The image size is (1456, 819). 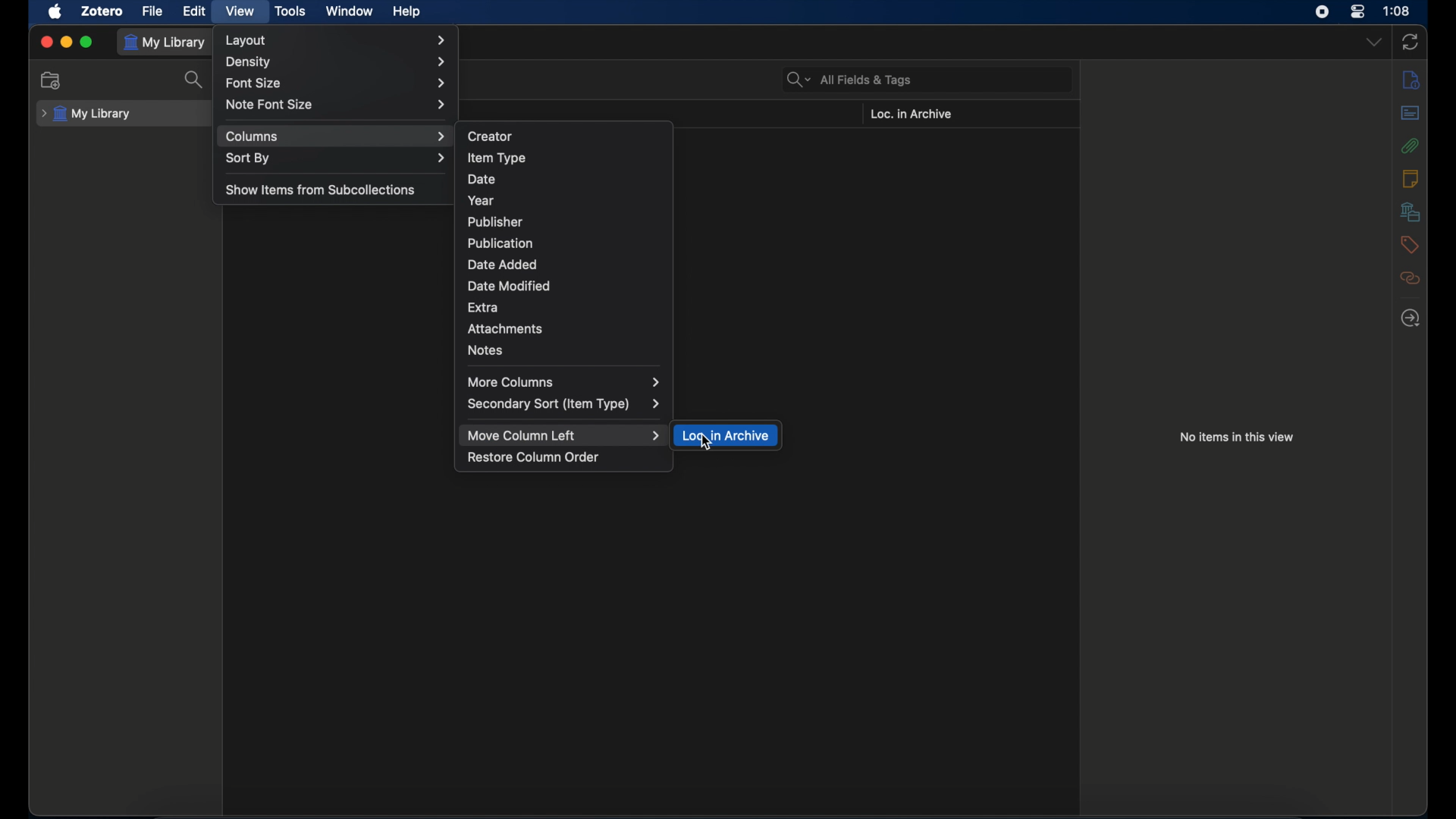 What do you see at coordinates (1410, 113) in the screenshot?
I see `abstract` at bounding box center [1410, 113].